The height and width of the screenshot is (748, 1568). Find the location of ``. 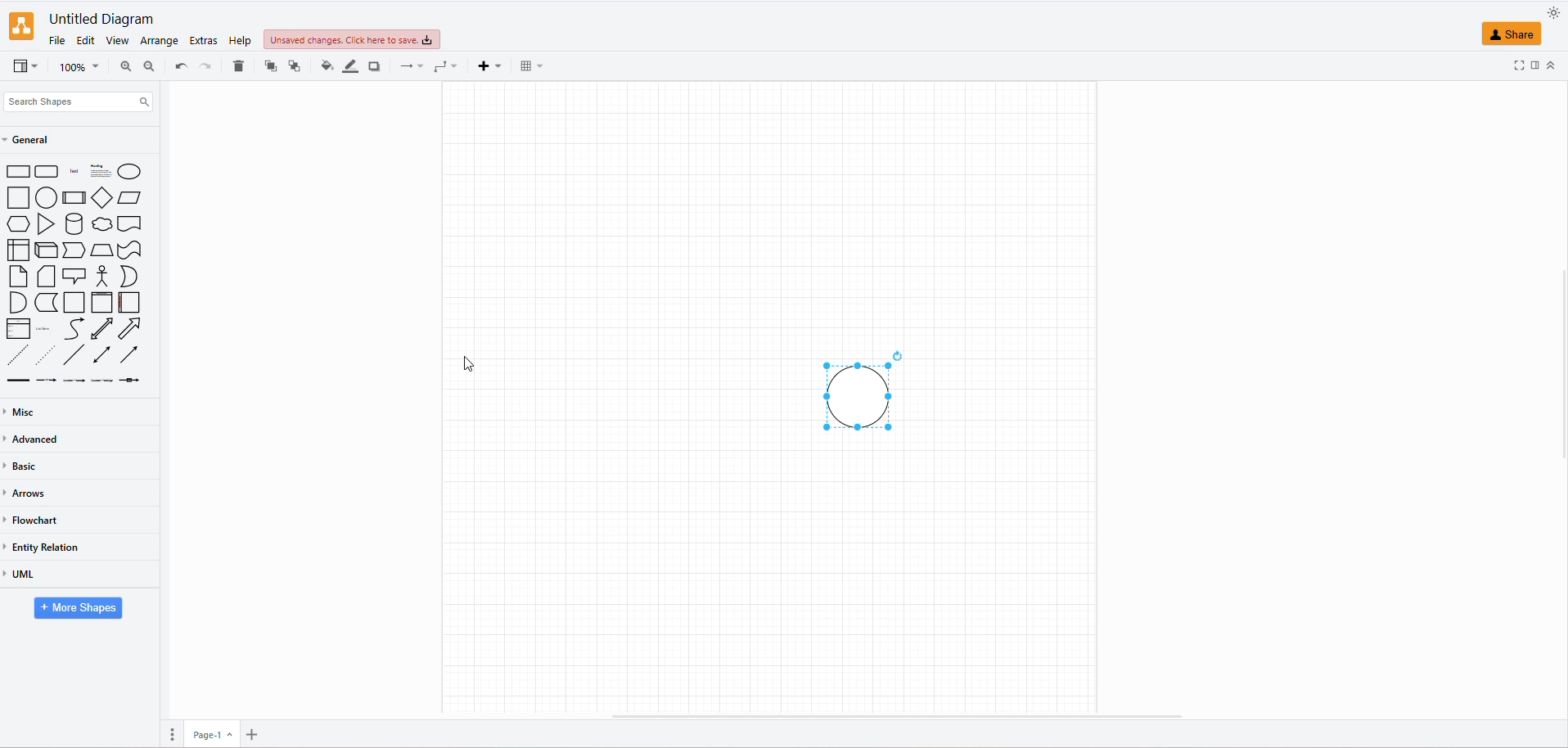

 is located at coordinates (848, 395).